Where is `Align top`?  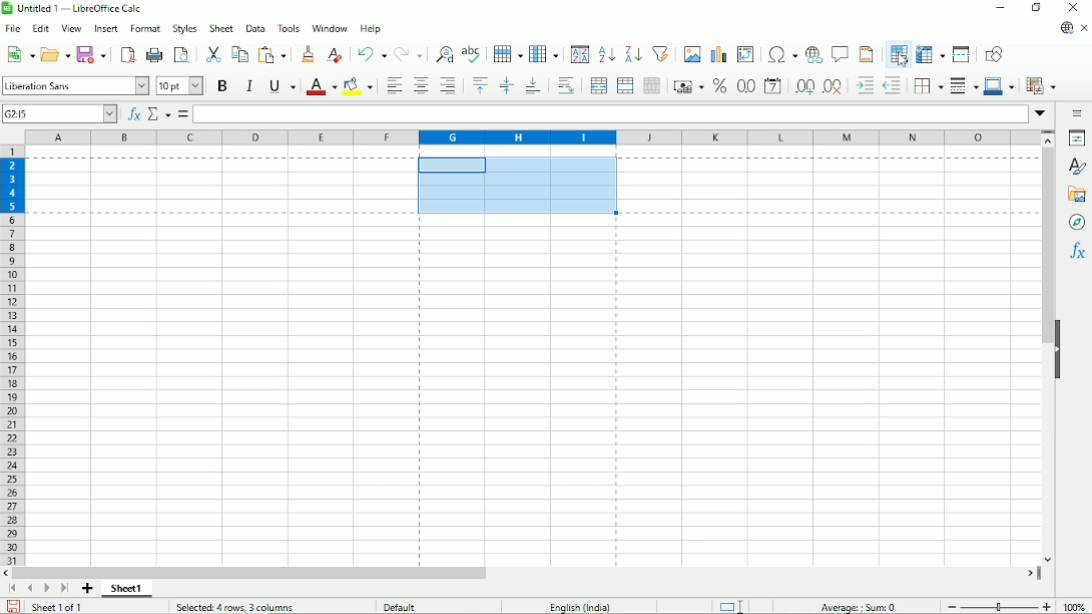 Align top is located at coordinates (480, 86).